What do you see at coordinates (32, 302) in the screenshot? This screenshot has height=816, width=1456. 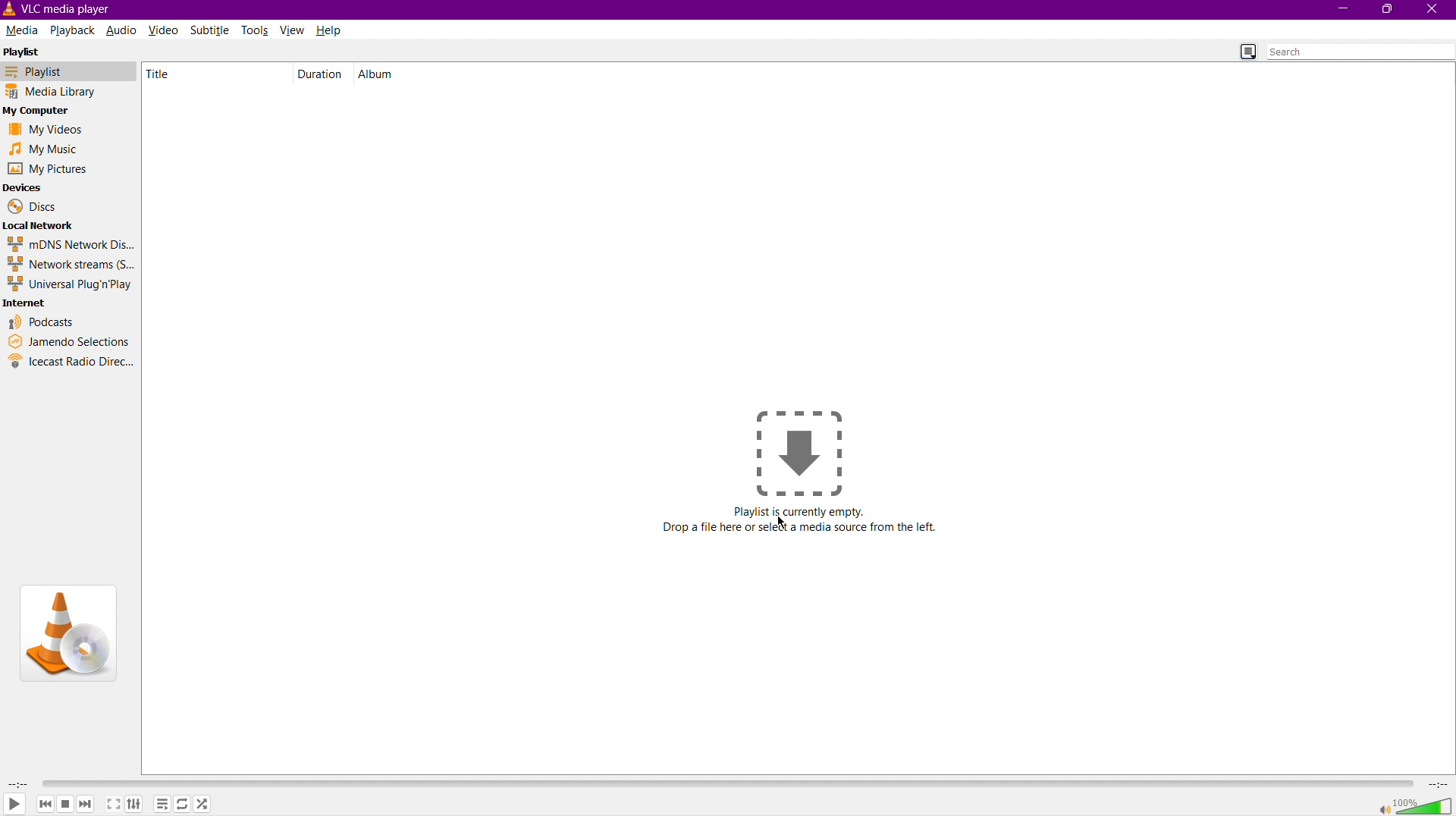 I see `Internet` at bounding box center [32, 302].